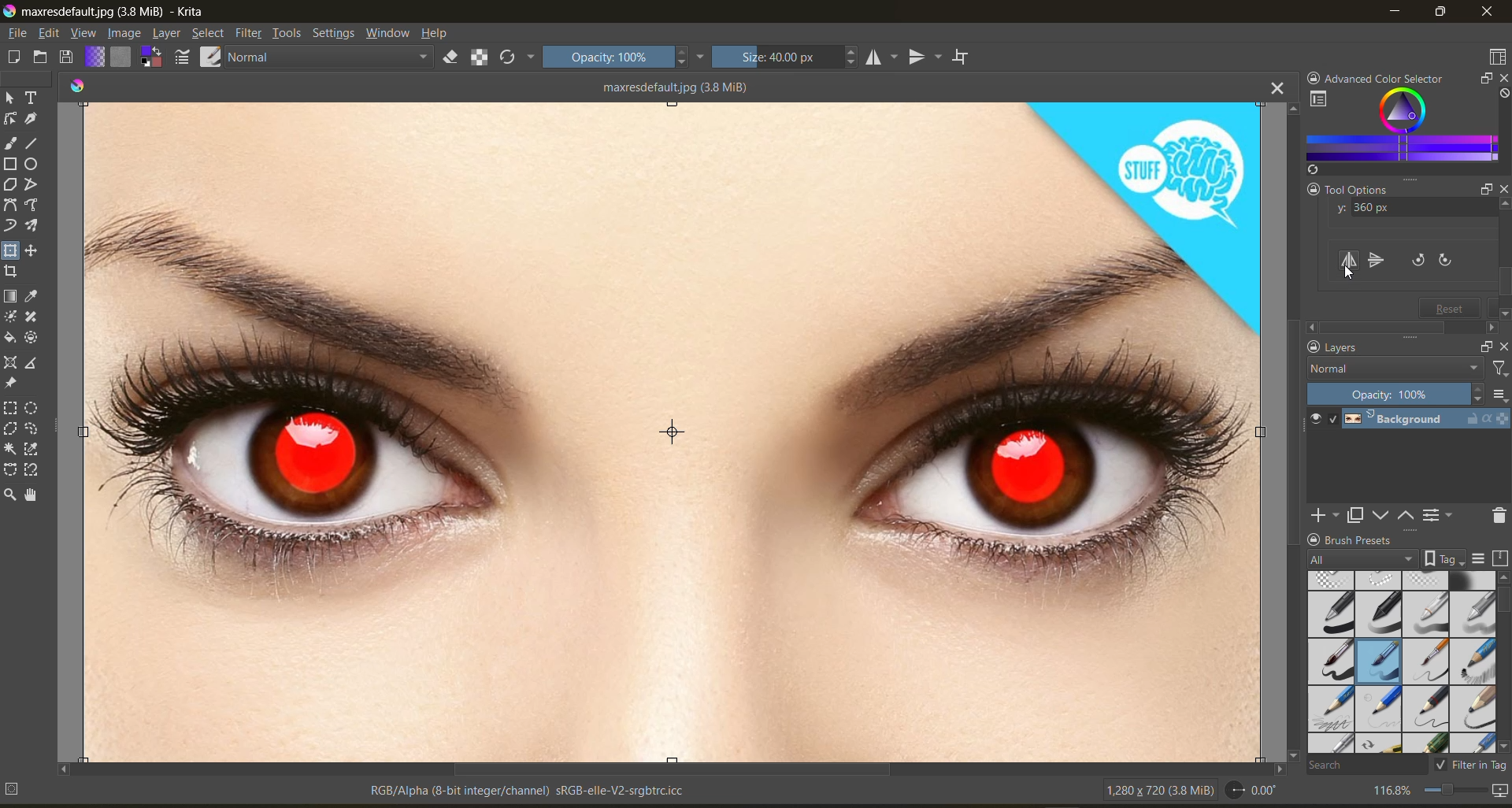  I want to click on view, so click(86, 35).